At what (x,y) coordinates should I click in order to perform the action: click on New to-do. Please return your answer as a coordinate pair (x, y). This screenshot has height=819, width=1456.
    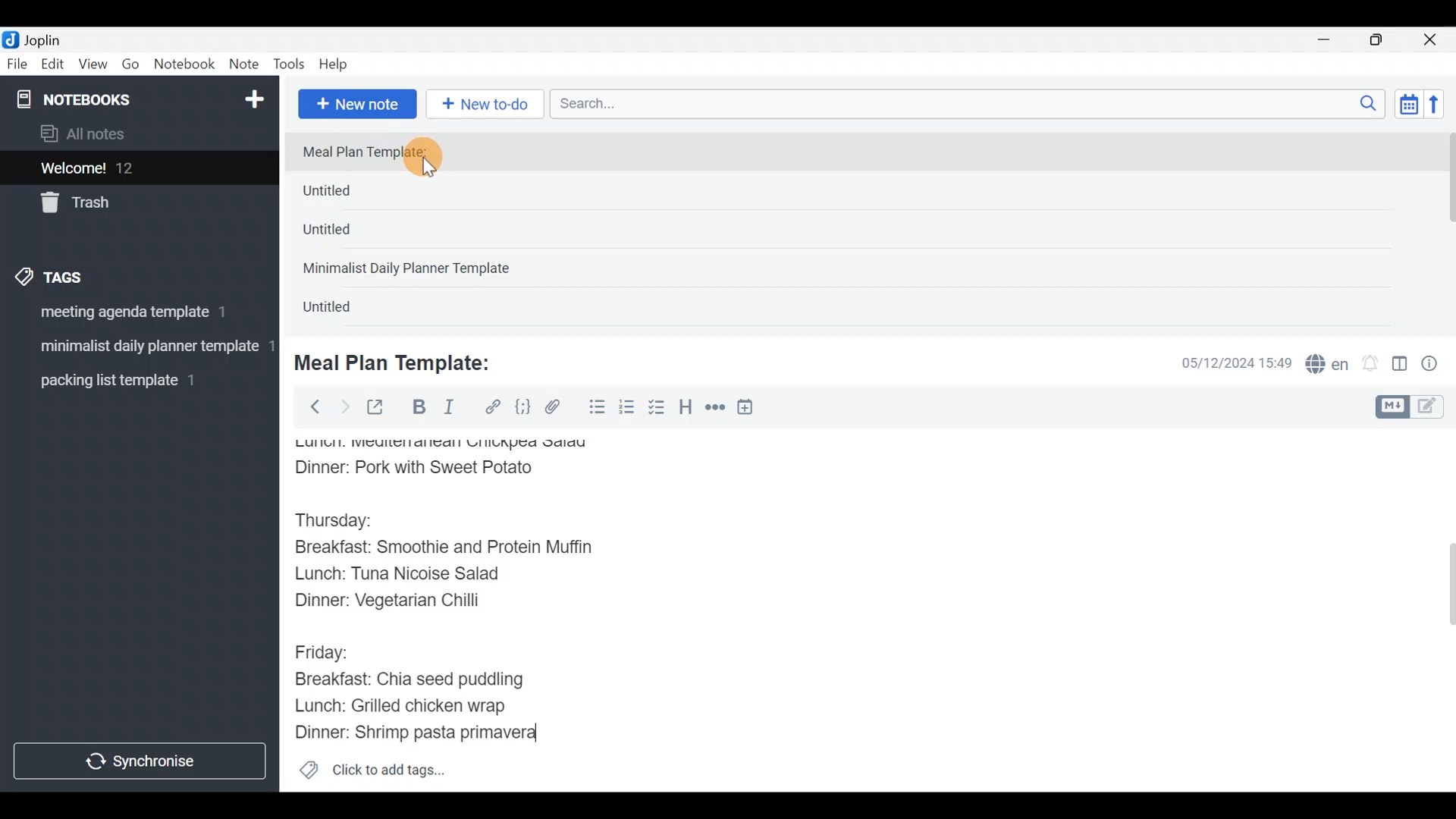
    Looking at the image, I should click on (488, 105).